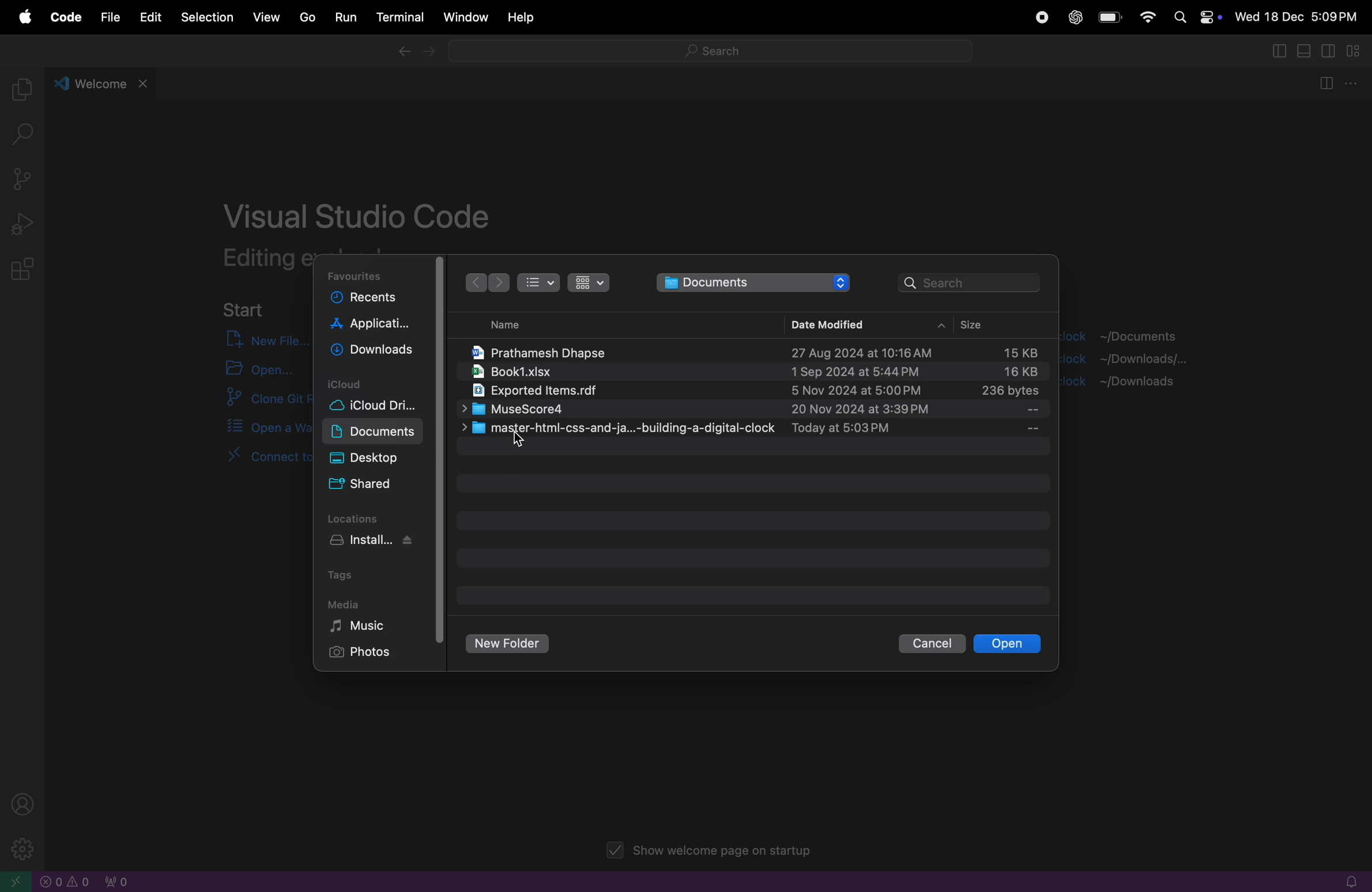 The image size is (1372, 892). What do you see at coordinates (255, 428) in the screenshot?
I see `open walk through` at bounding box center [255, 428].